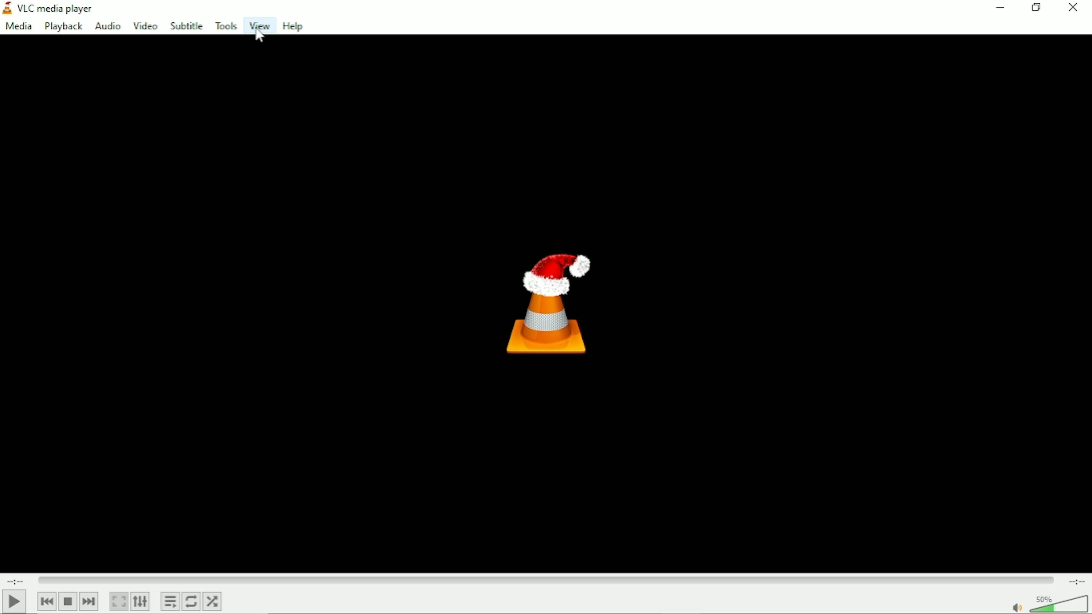  What do you see at coordinates (1047, 603) in the screenshot?
I see `Volume` at bounding box center [1047, 603].